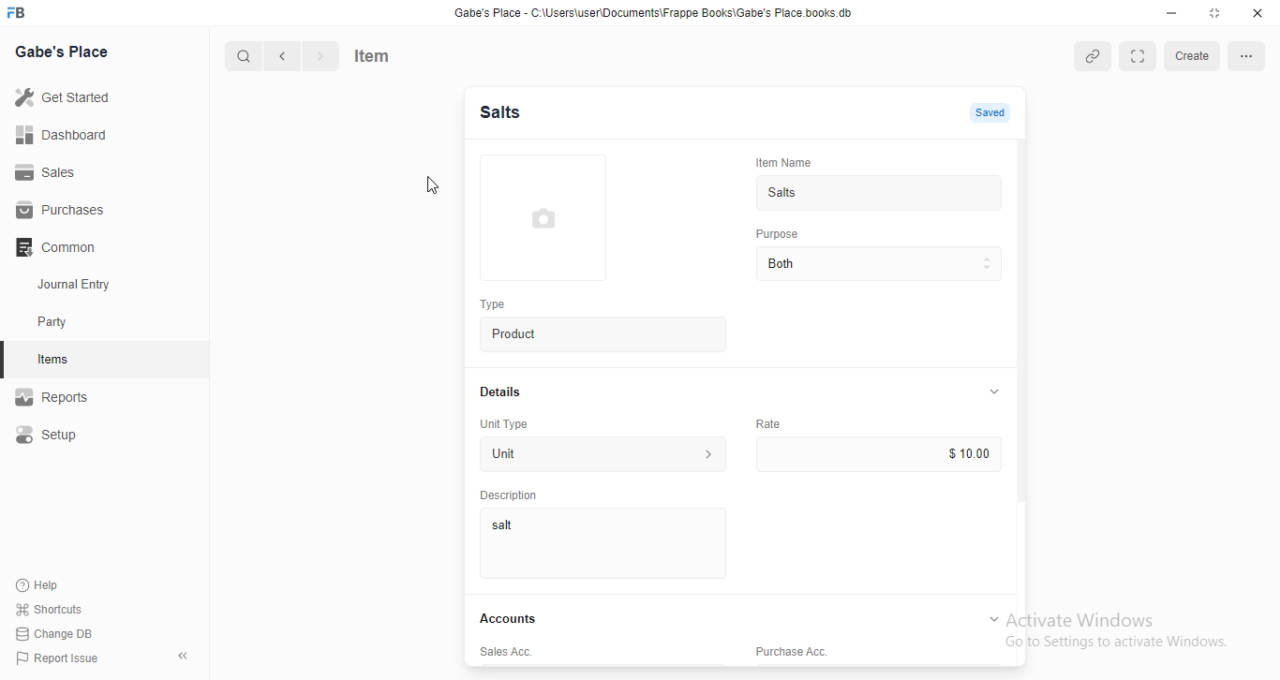  What do you see at coordinates (1139, 56) in the screenshot?
I see `fullscreen` at bounding box center [1139, 56].